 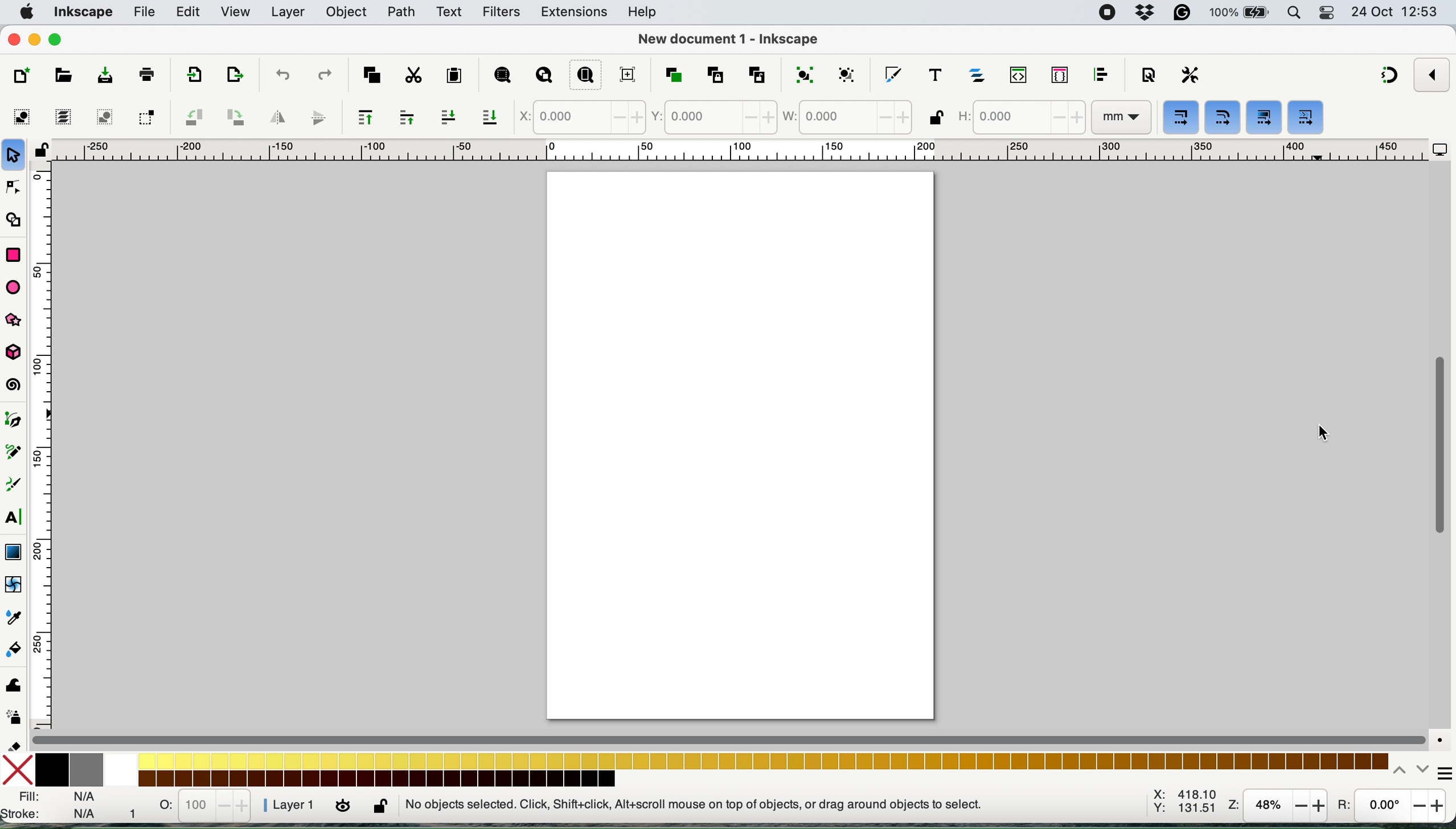 What do you see at coordinates (104, 77) in the screenshot?
I see `save` at bounding box center [104, 77].